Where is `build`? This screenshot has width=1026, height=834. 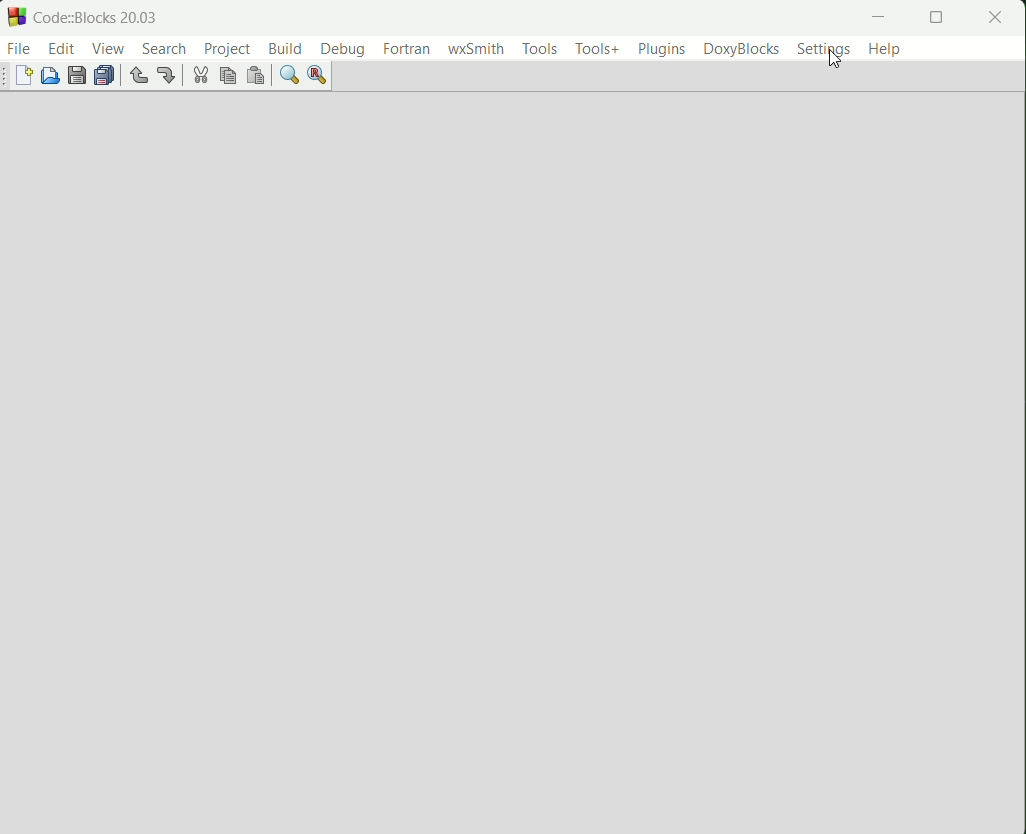 build is located at coordinates (286, 48).